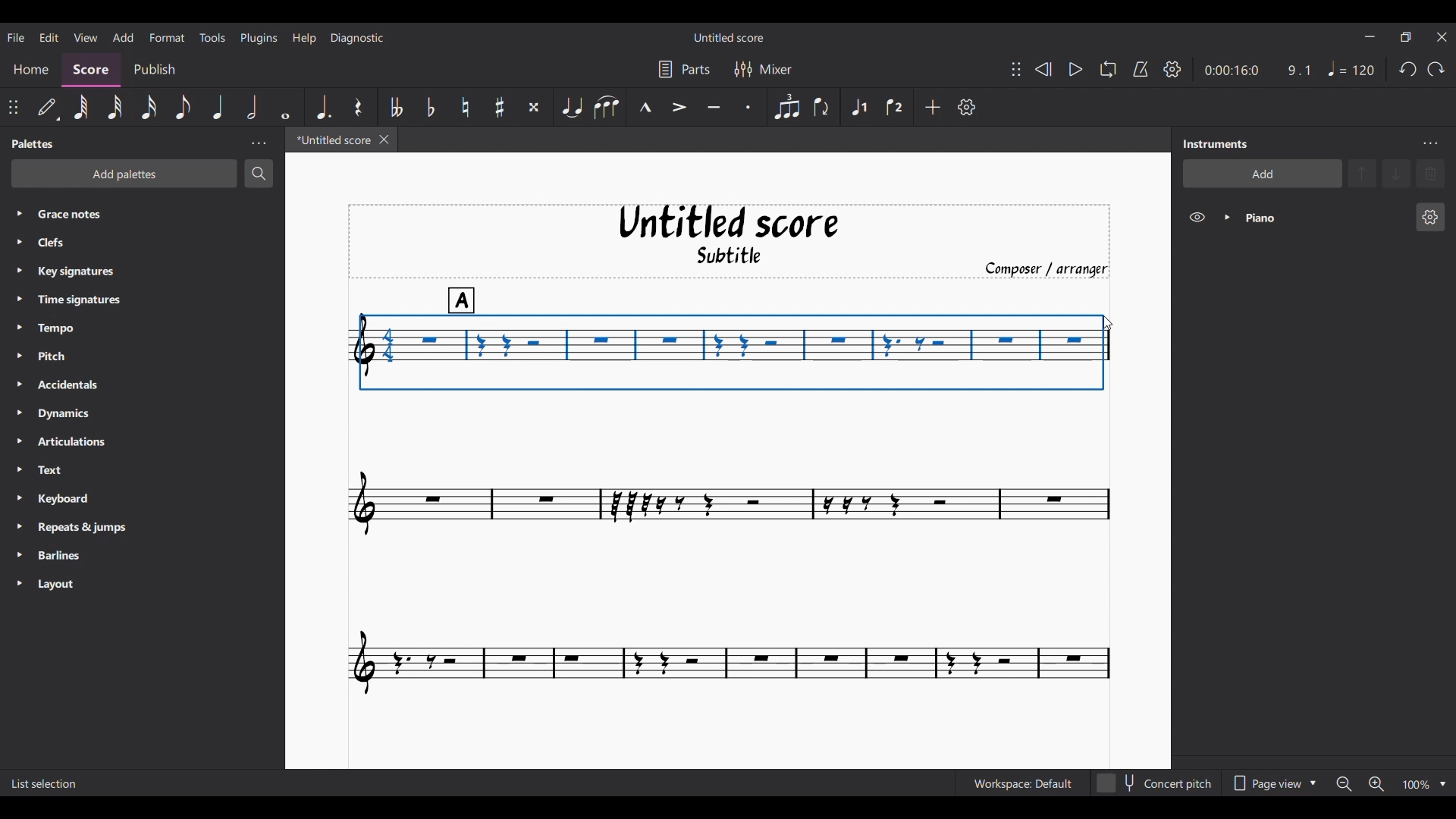 This screenshot has height=819, width=1456. What do you see at coordinates (1436, 69) in the screenshot?
I see `Redo` at bounding box center [1436, 69].